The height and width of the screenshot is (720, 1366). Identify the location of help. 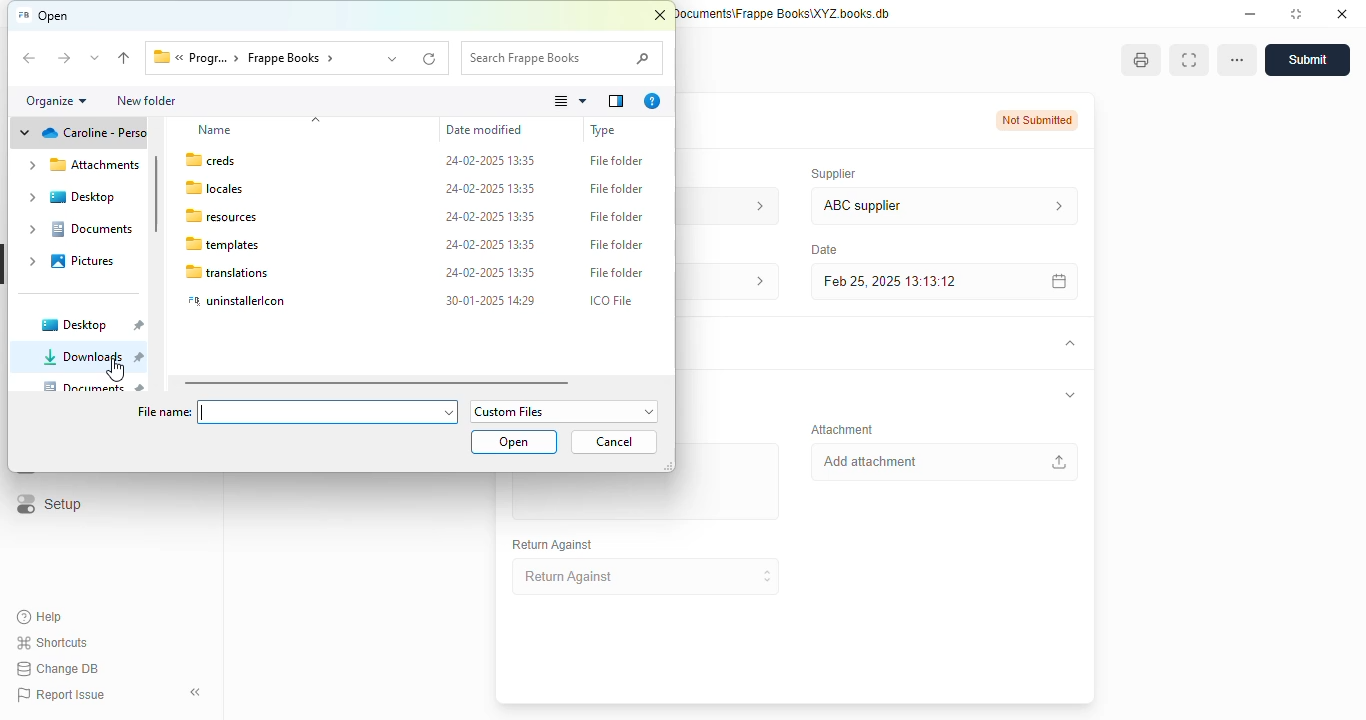
(40, 617).